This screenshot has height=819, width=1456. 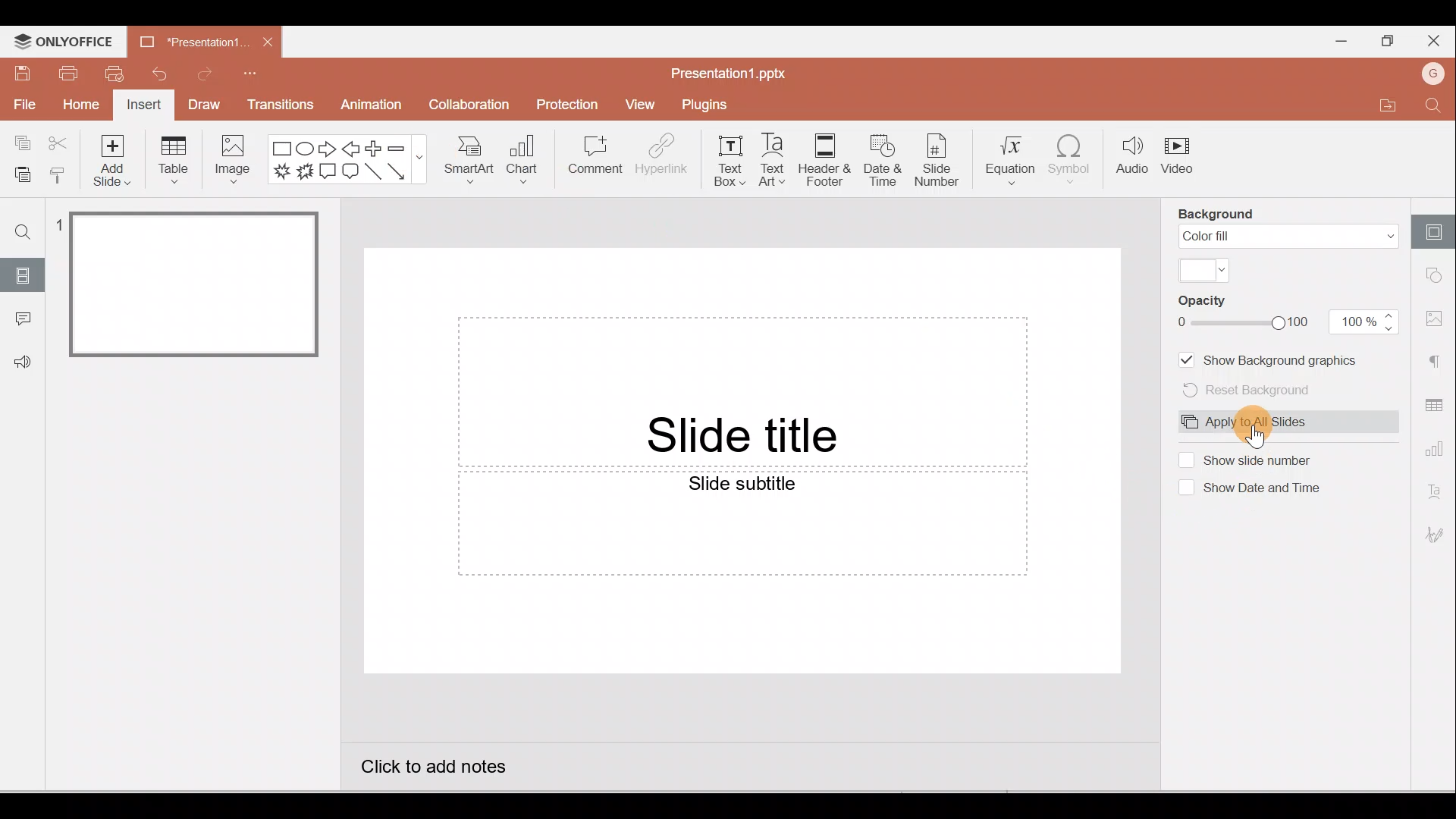 What do you see at coordinates (213, 428) in the screenshot?
I see `Master slide 2` at bounding box center [213, 428].